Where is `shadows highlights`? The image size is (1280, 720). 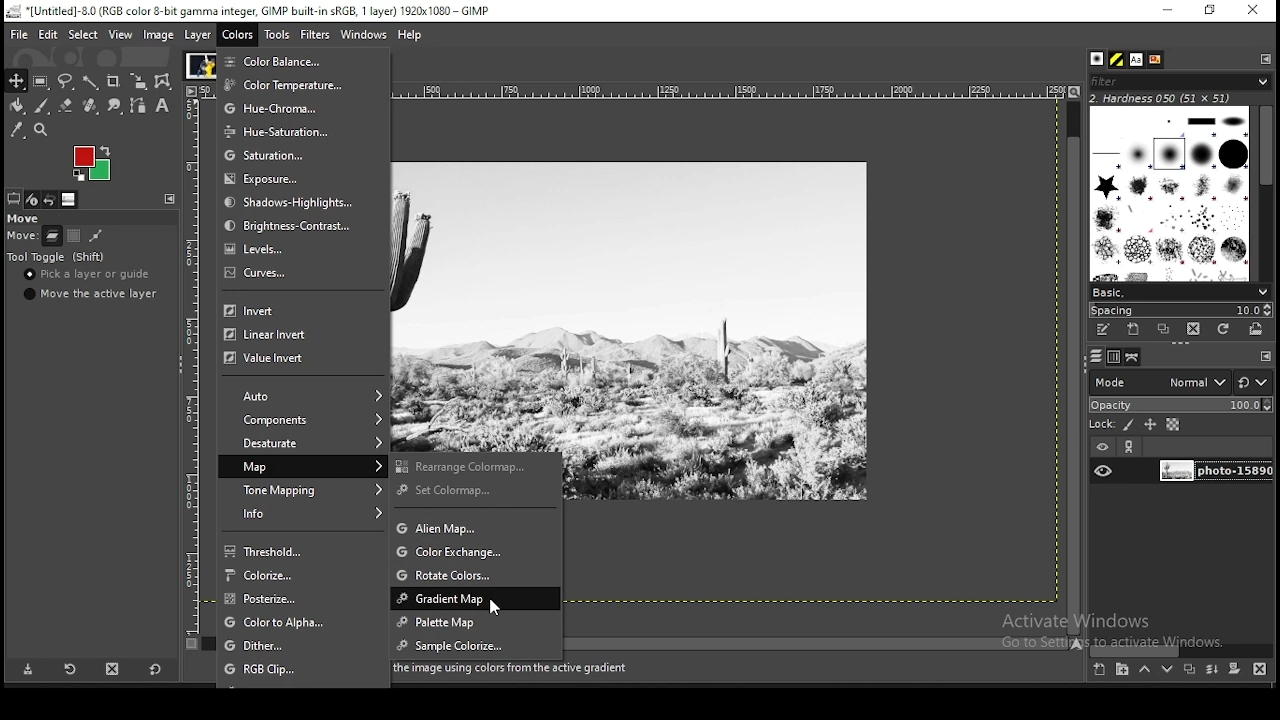
shadows highlights is located at coordinates (295, 202).